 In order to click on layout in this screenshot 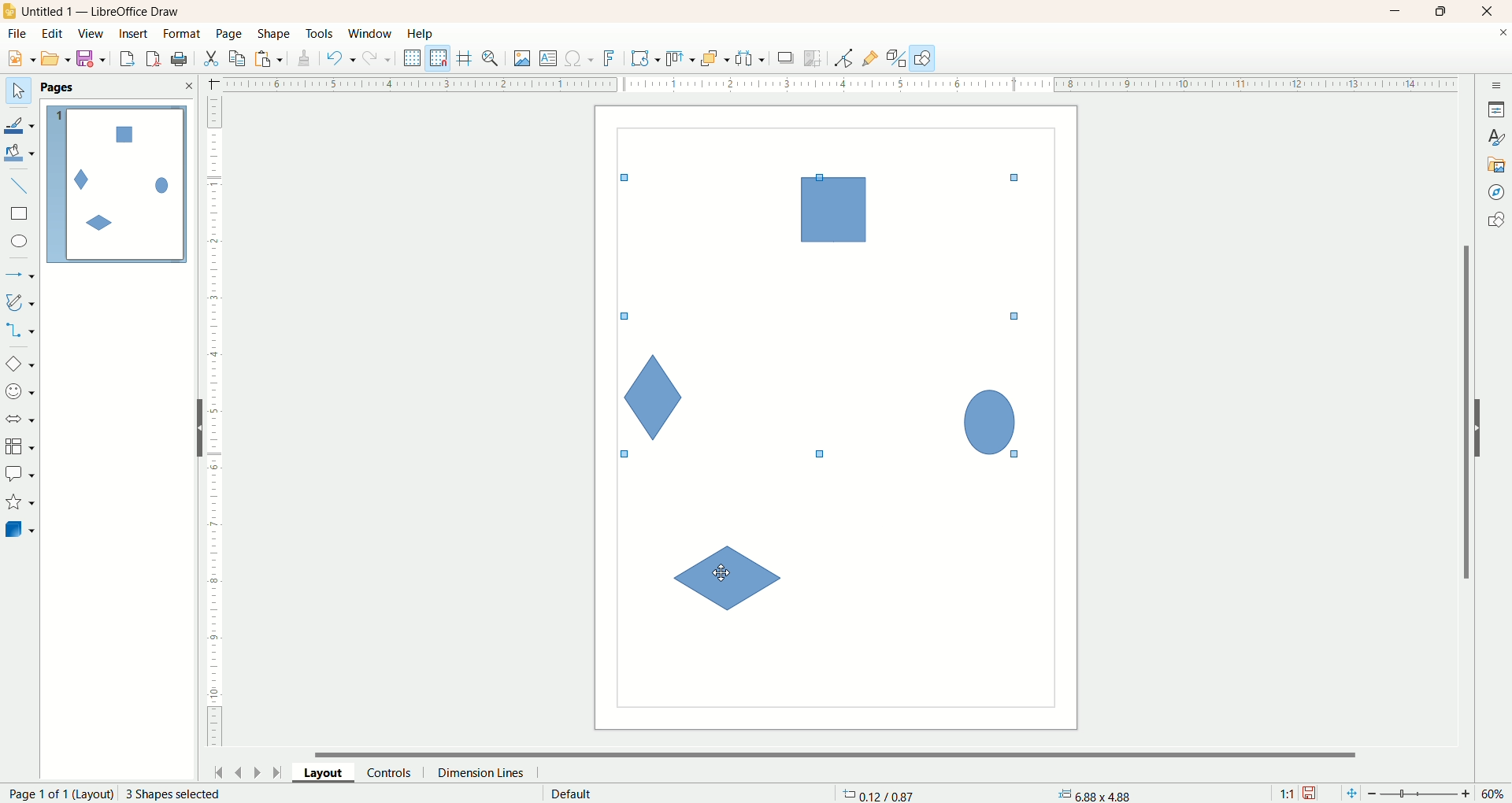, I will do `click(330, 772)`.